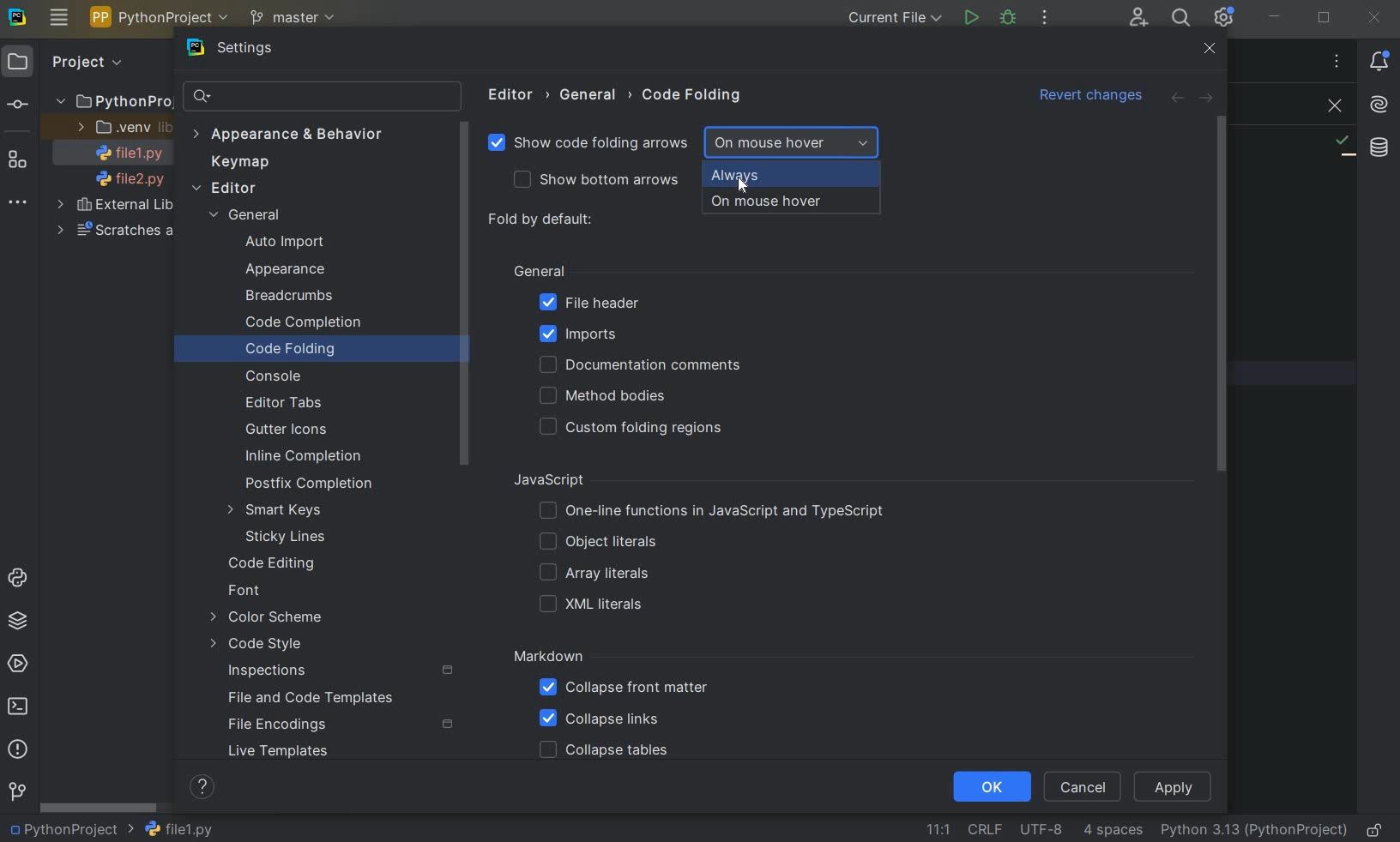  I want to click on SEARCH EVERYWHERE, so click(1180, 18).